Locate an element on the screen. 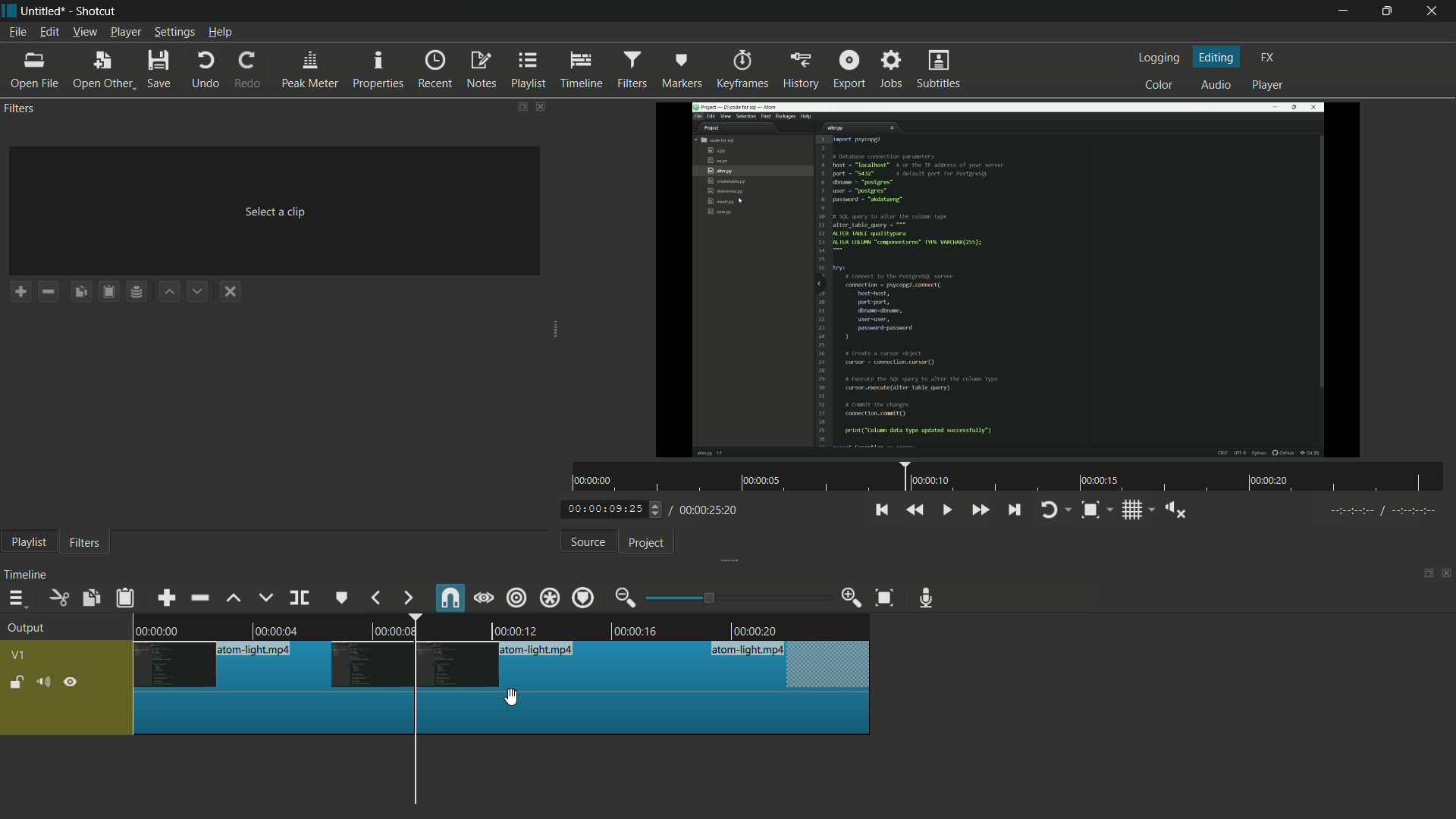 This screenshot has height=819, width=1456. change layout is located at coordinates (516, 106).